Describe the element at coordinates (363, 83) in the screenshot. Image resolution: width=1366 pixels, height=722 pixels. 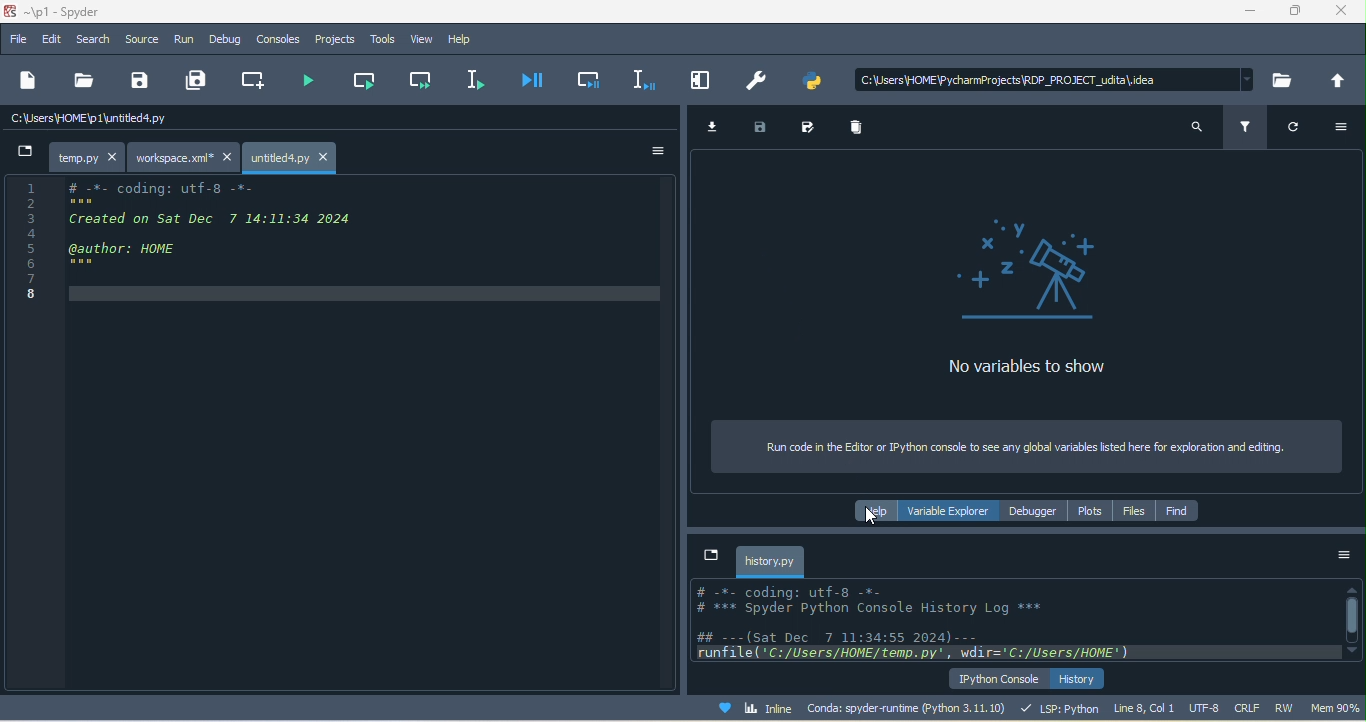
I see `run current cell` at that location.